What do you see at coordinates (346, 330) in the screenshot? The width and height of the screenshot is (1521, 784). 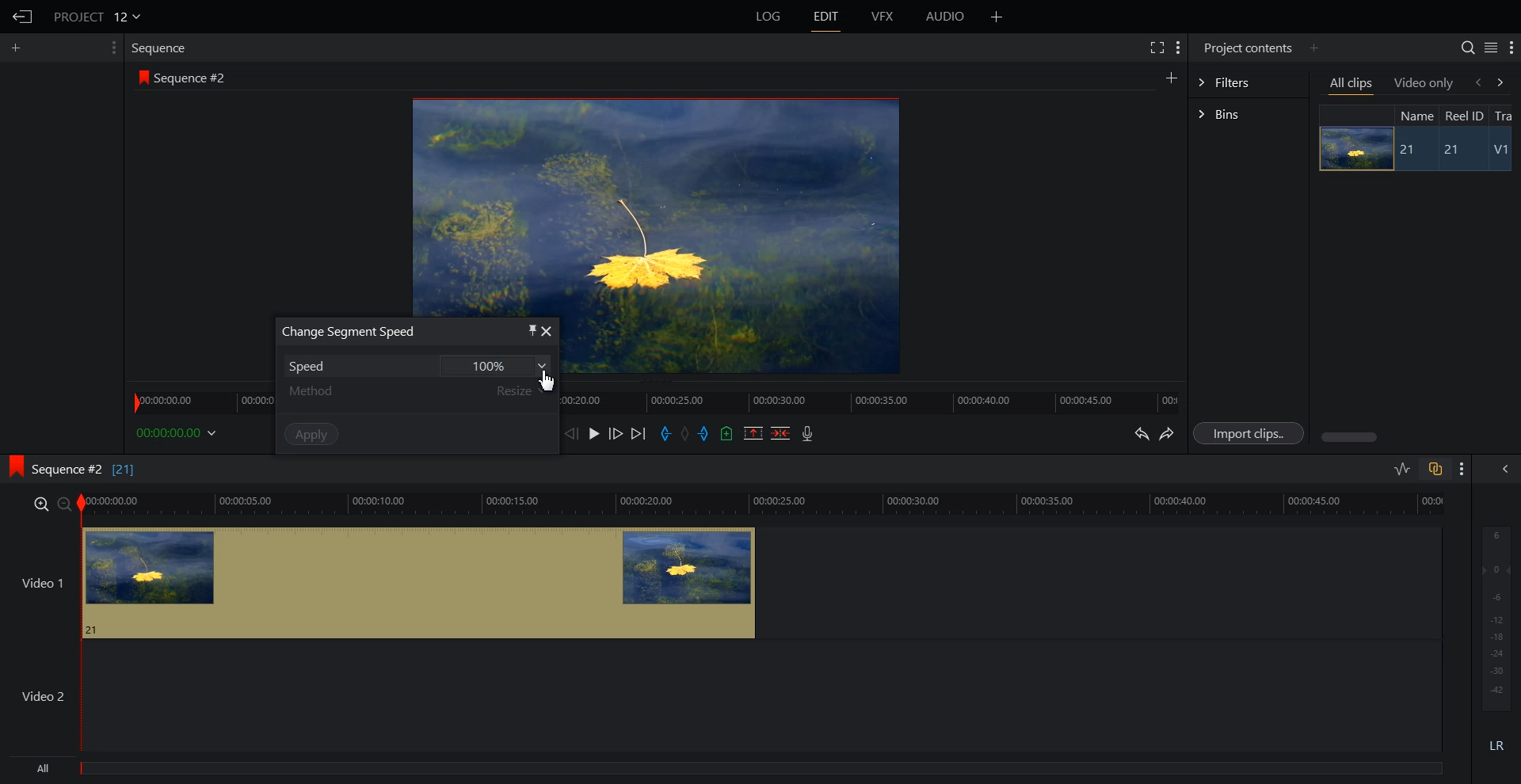 I see `Change Segment Speed` at bounding box center [346, 330].